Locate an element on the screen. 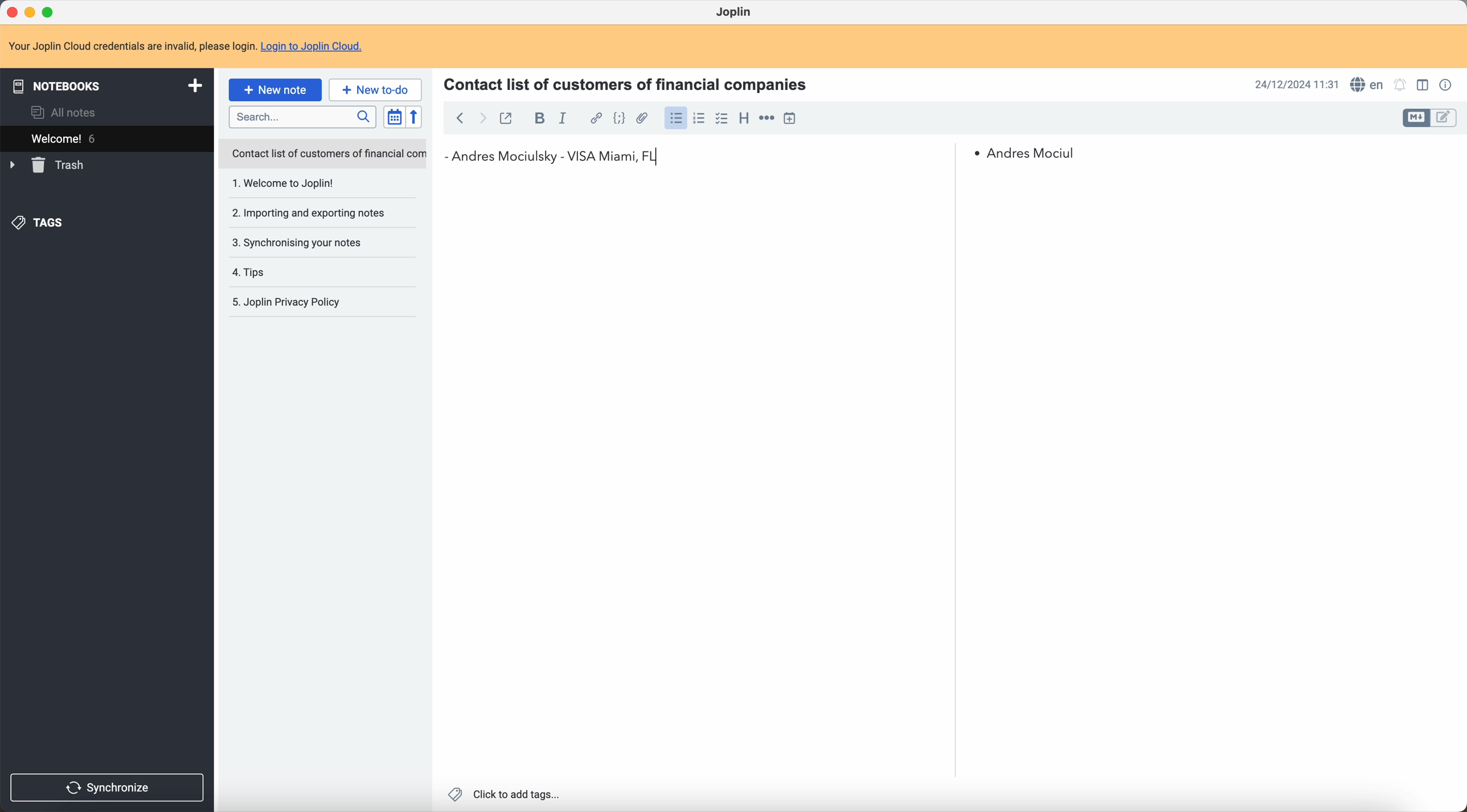 This screenshot has height=812, width=1467. Joplin is located at coordinates (733, 11).